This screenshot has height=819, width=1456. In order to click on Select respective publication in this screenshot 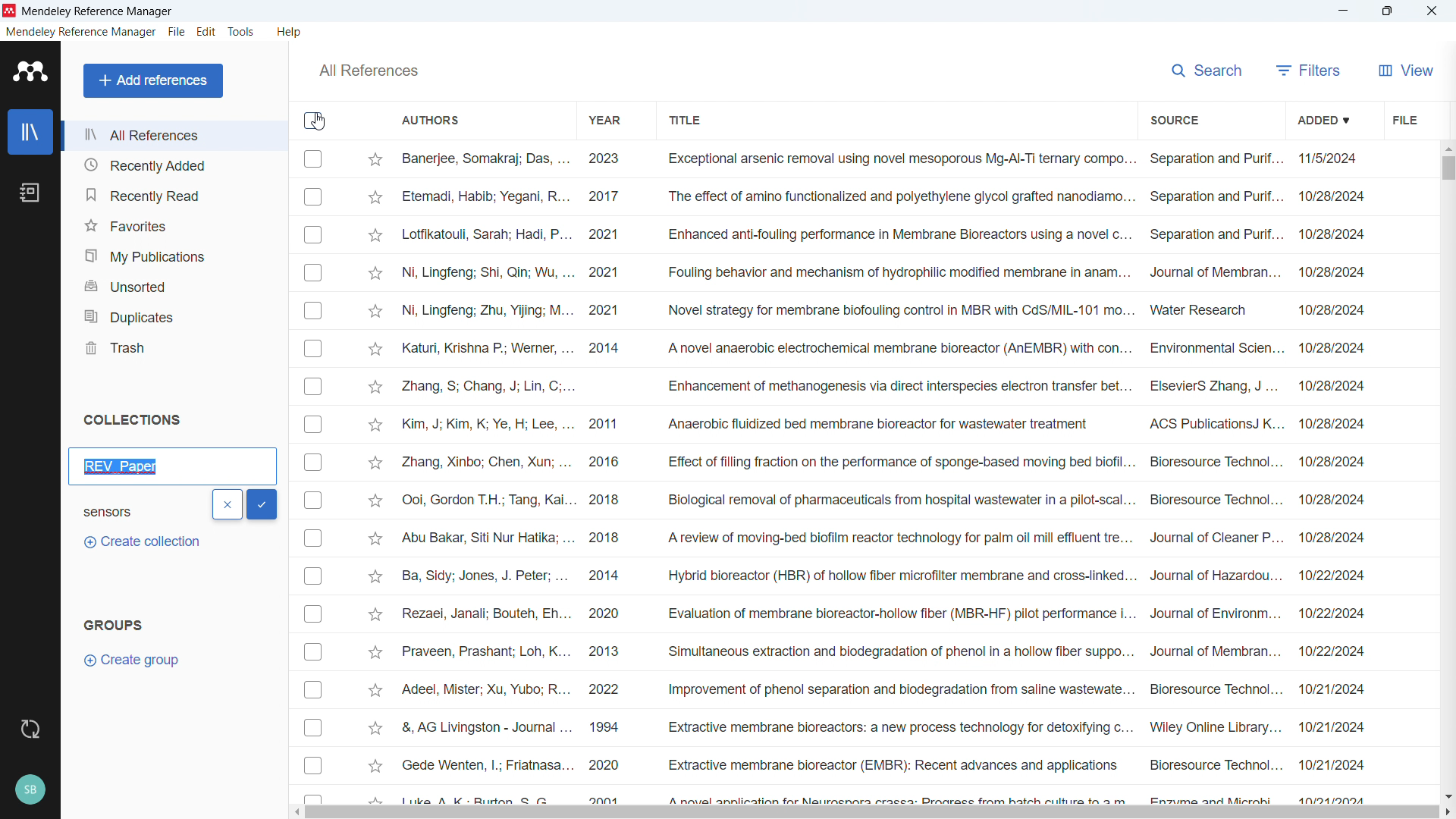, I will do `click(313, 310)`.